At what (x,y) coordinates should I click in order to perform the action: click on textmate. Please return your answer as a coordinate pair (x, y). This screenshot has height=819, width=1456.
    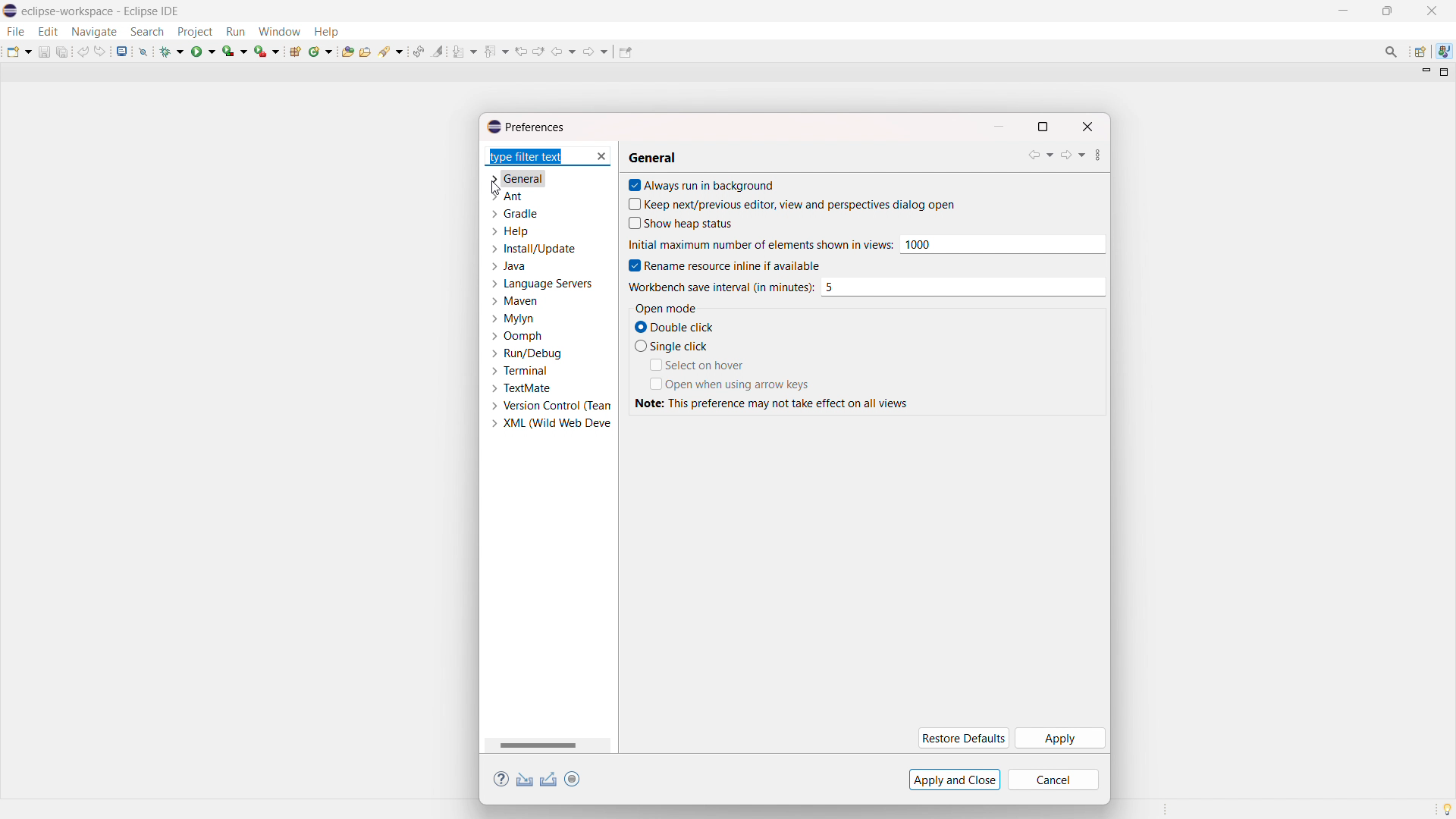
    Looking at the image, I should click on (519, 388).